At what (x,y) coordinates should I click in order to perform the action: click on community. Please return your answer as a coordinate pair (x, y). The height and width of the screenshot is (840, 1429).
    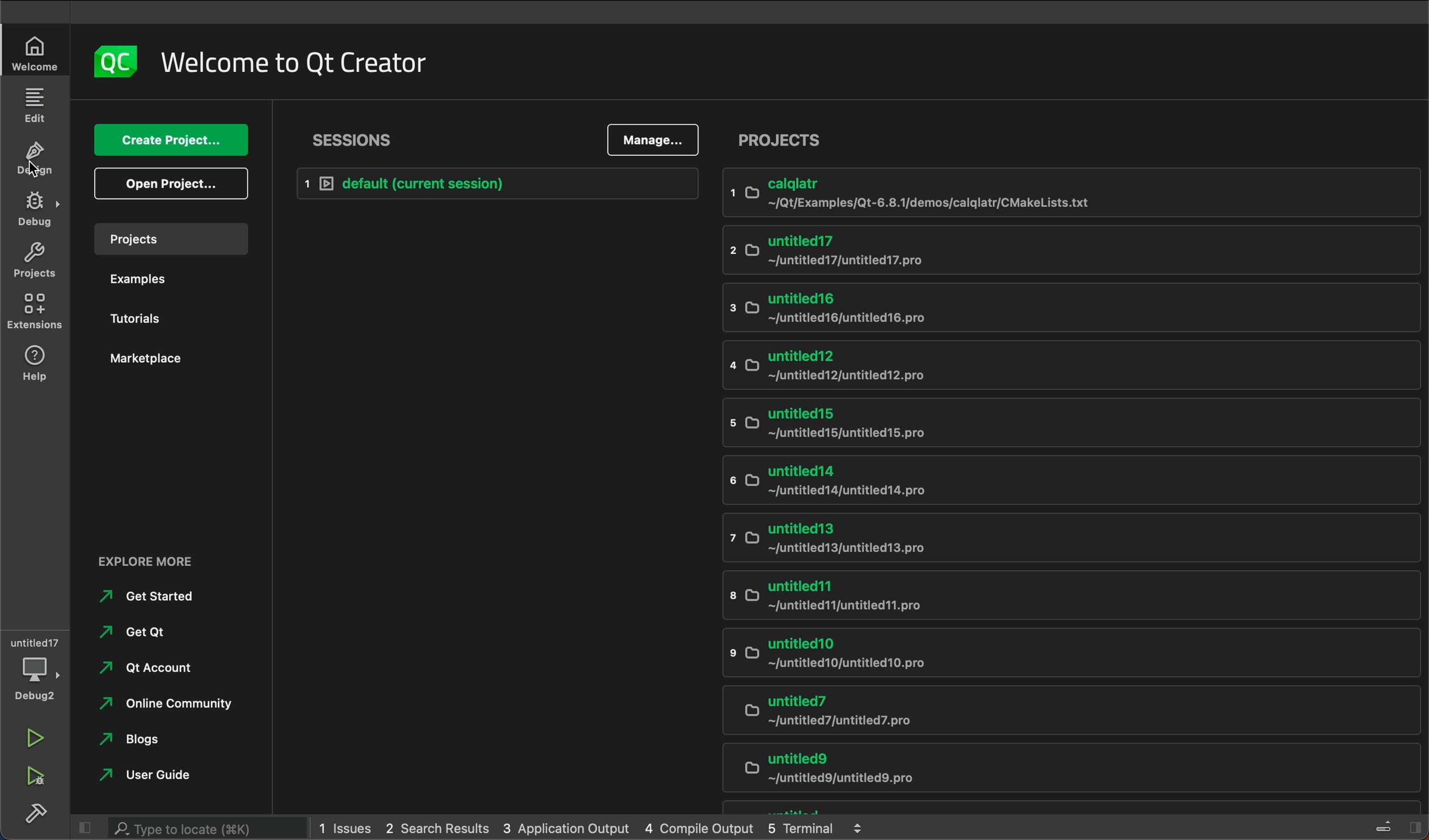
    Looking at the image, I should click on (160, 703).